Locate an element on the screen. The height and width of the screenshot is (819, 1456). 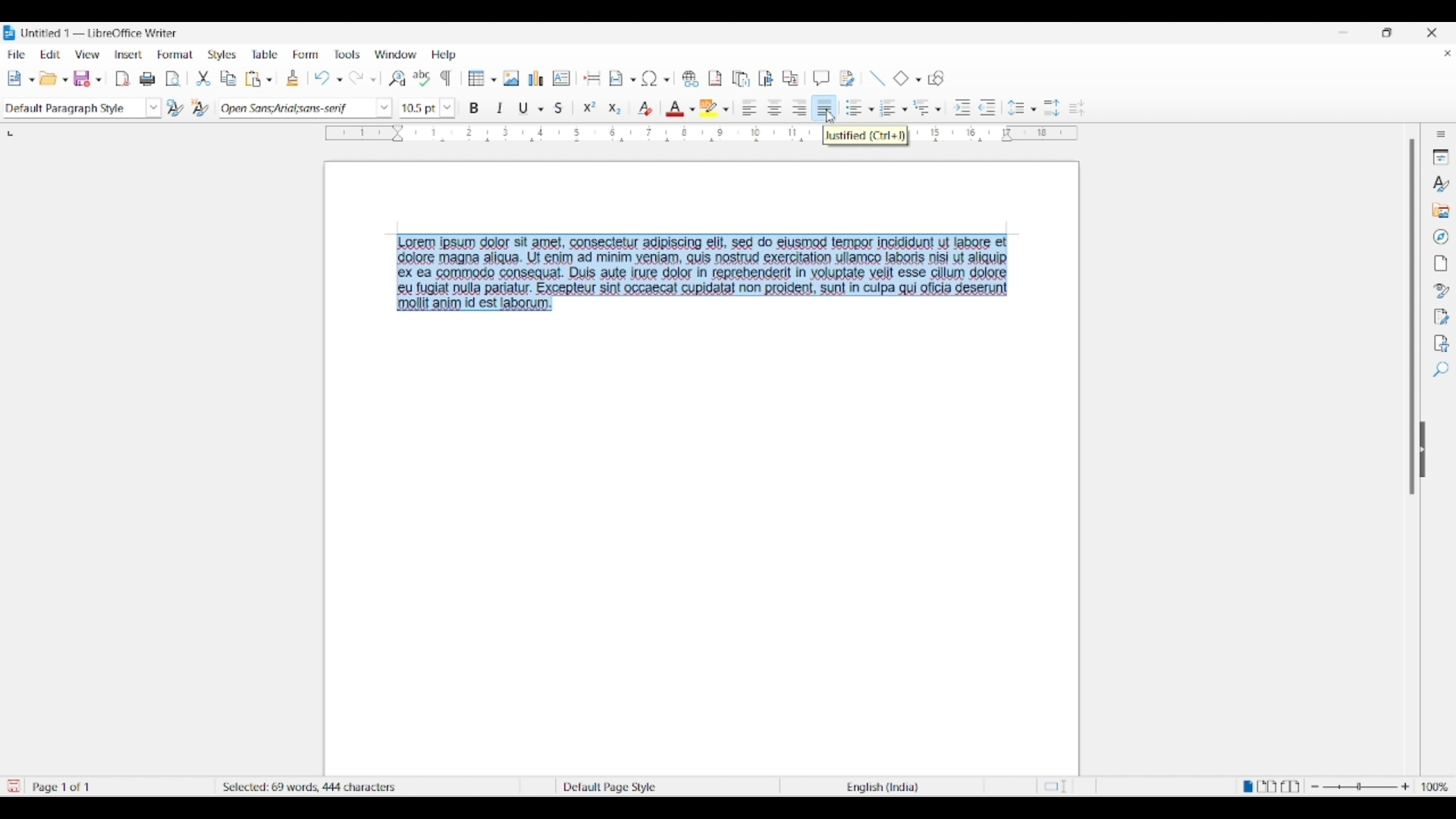
Undo last action is located at coordinates (322, 78).